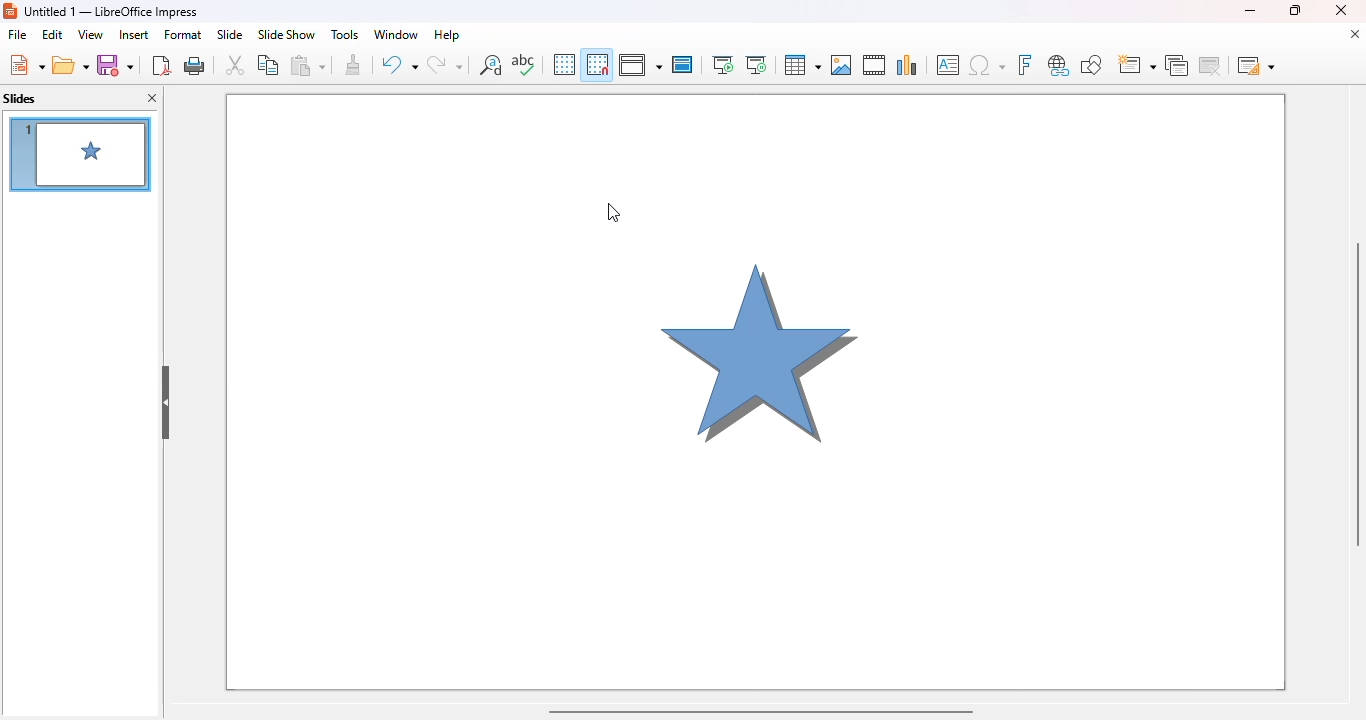 This screenshot has height=720, width=1366. Describe the element at coordinates (908, 65) in the screenshot. I see `insert chart` at that location.